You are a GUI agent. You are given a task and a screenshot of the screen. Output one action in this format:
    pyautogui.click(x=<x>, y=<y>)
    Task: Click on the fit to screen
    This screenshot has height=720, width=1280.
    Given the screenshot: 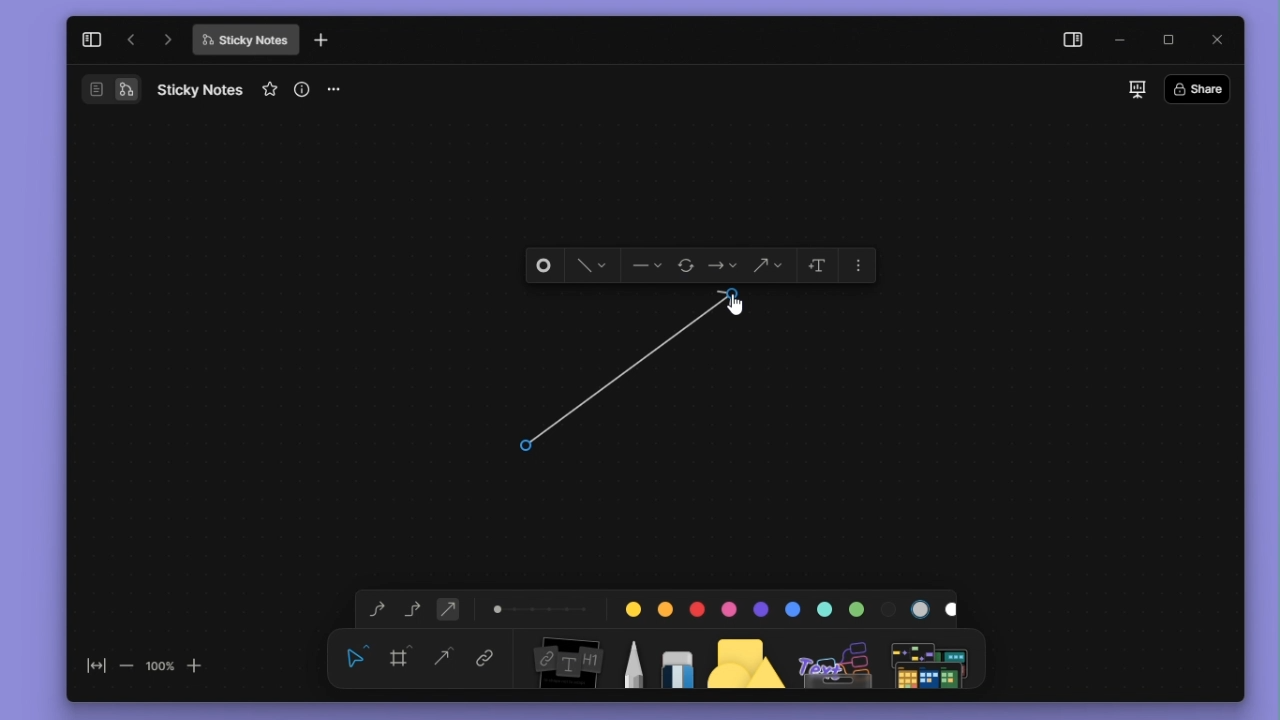 What is the action you would take?
    pyautogui.click(x=90, y=670)
    